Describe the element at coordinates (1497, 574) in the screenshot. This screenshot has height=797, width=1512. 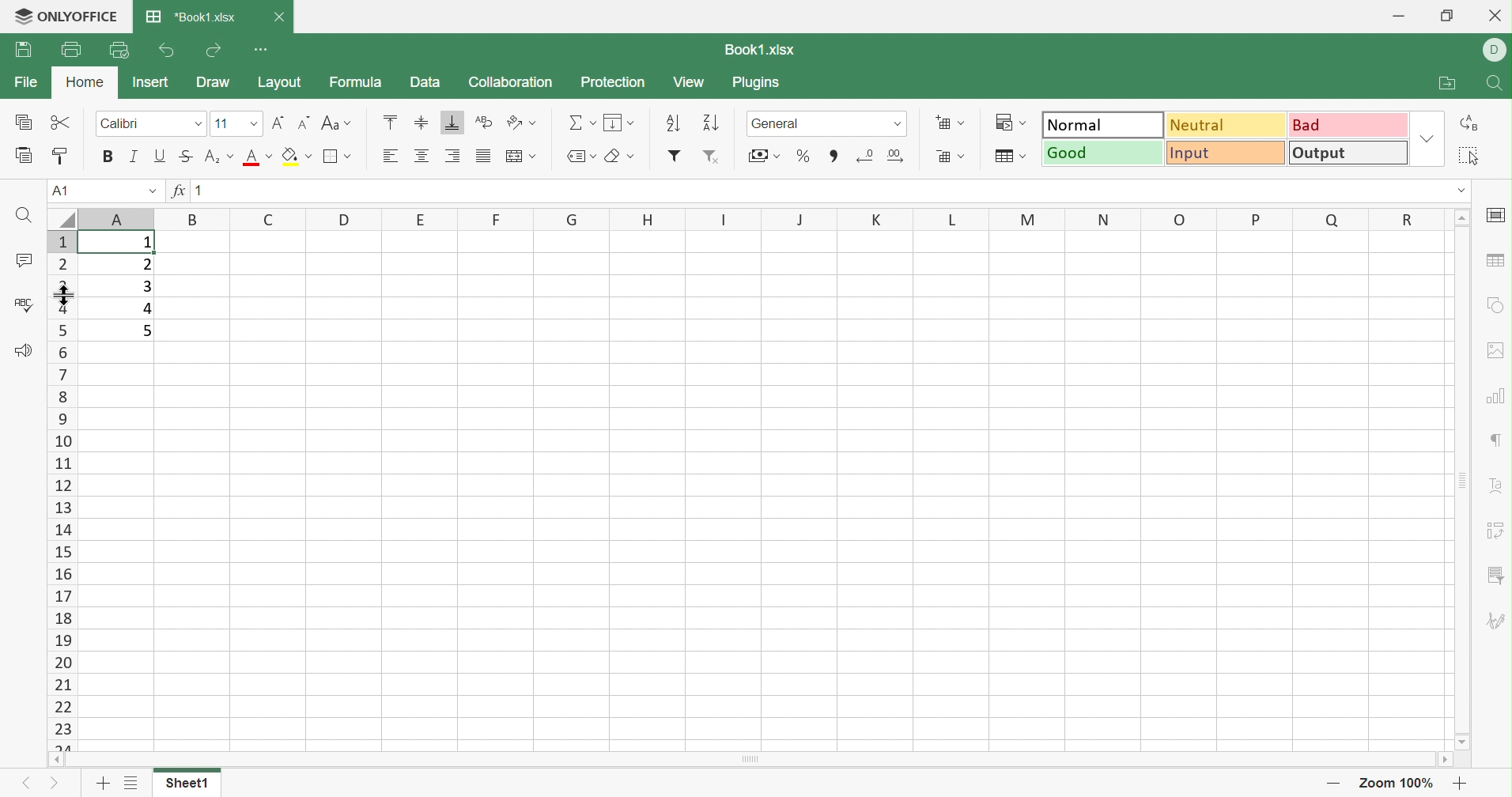
I see `Slicer settings` at that location.